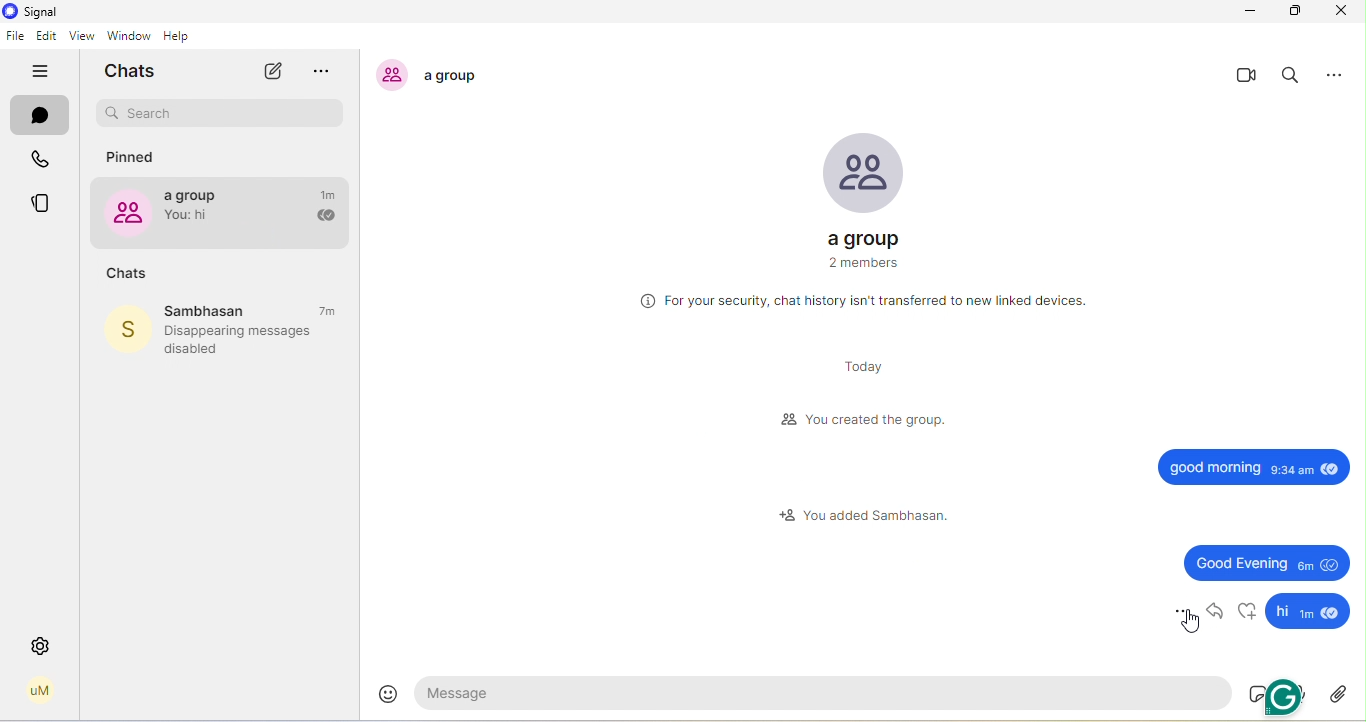 The height and width of the screenshot is (722, 1366). Describe the element at coordinates (248, 340) in the screenshot. I see `disappearing messages disable` at that location.